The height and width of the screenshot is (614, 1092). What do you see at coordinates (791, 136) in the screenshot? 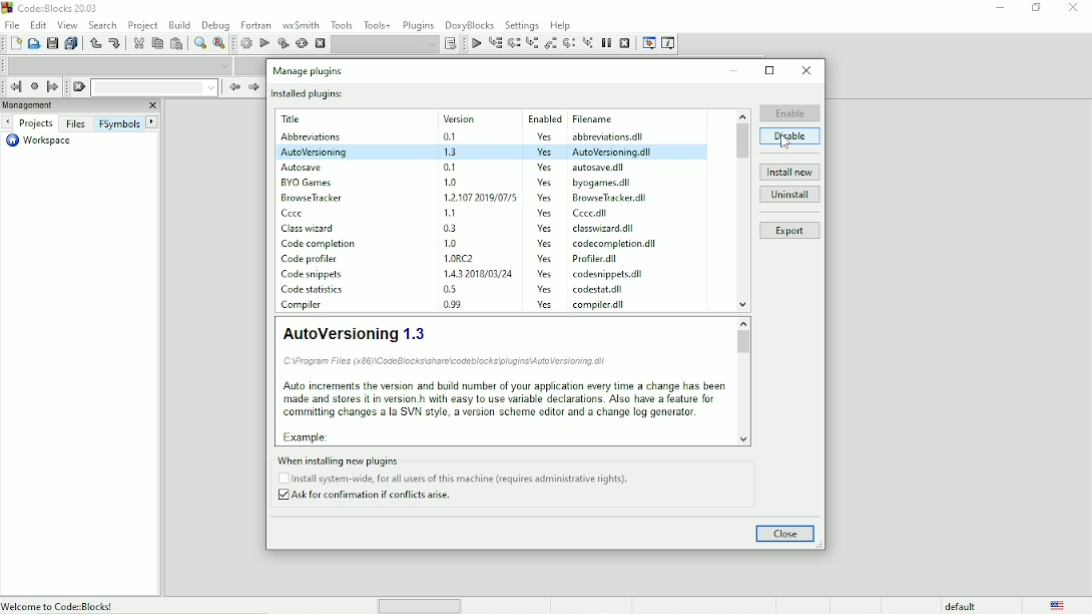
I see `Disable` at bounding box center [791, 136].